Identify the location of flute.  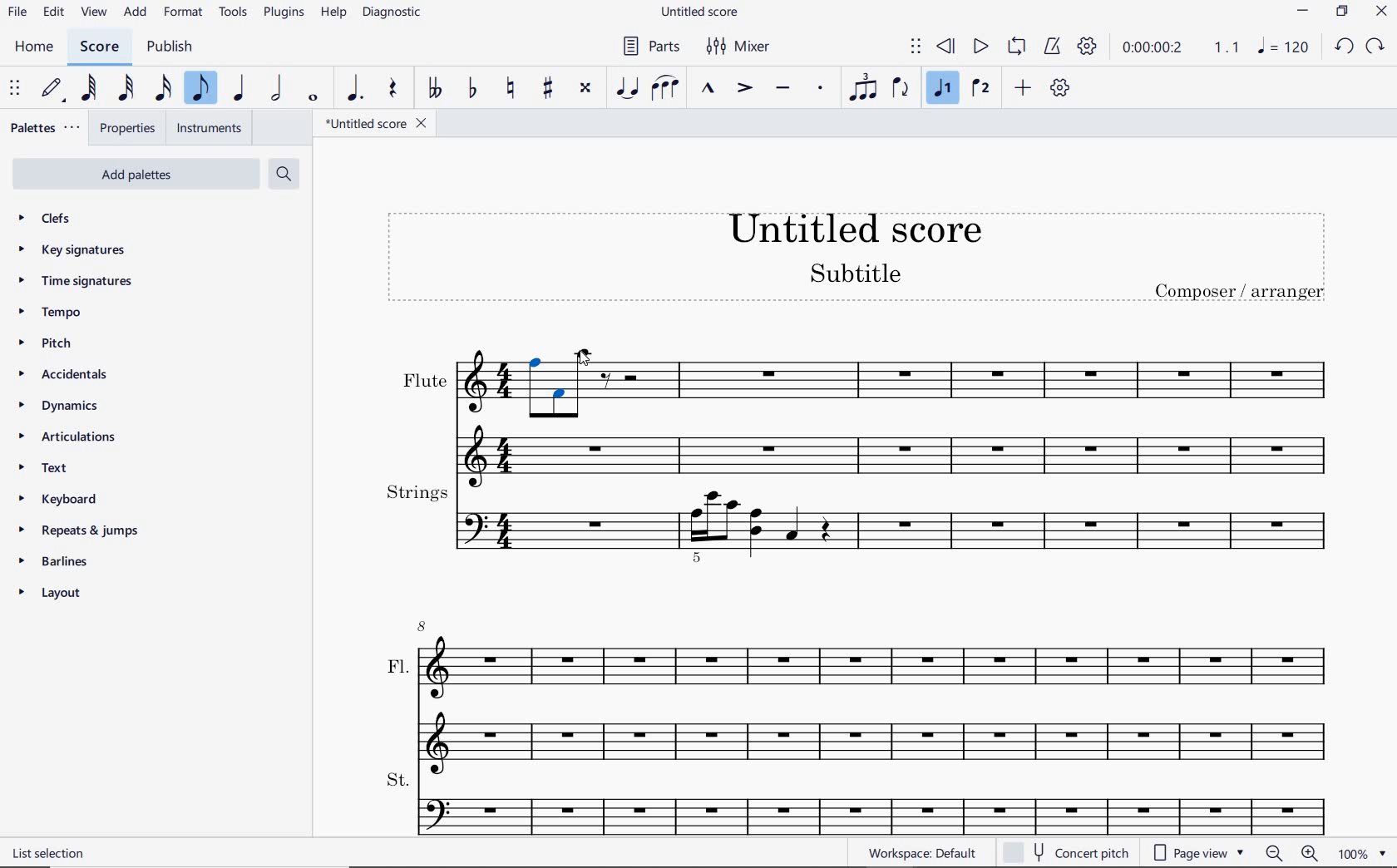
(856, 412).